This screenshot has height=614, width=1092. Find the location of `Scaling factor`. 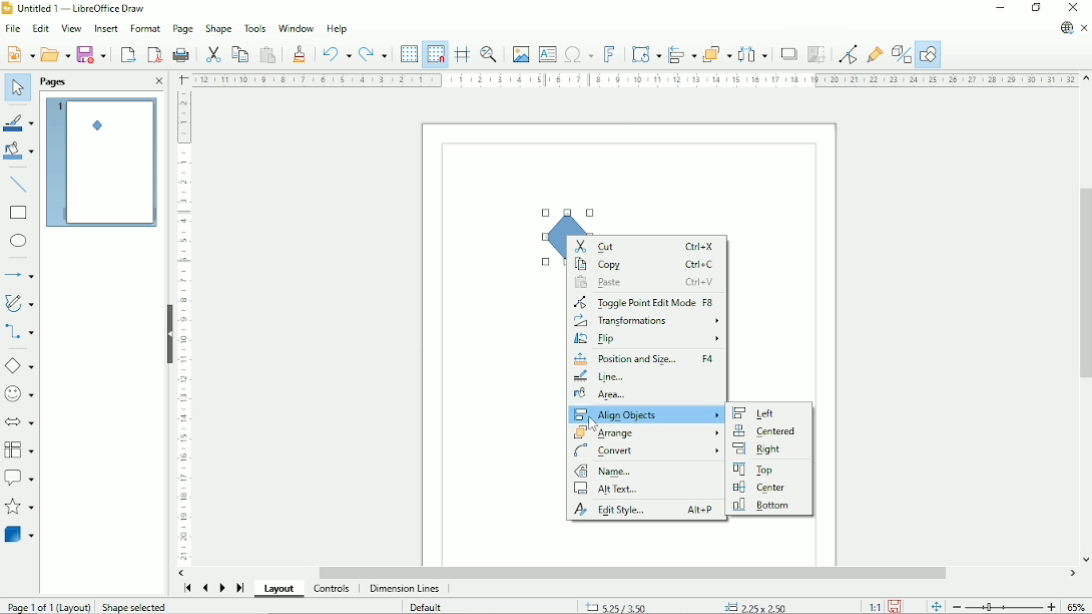

Scaling factor is located at coordinates (874, 606).